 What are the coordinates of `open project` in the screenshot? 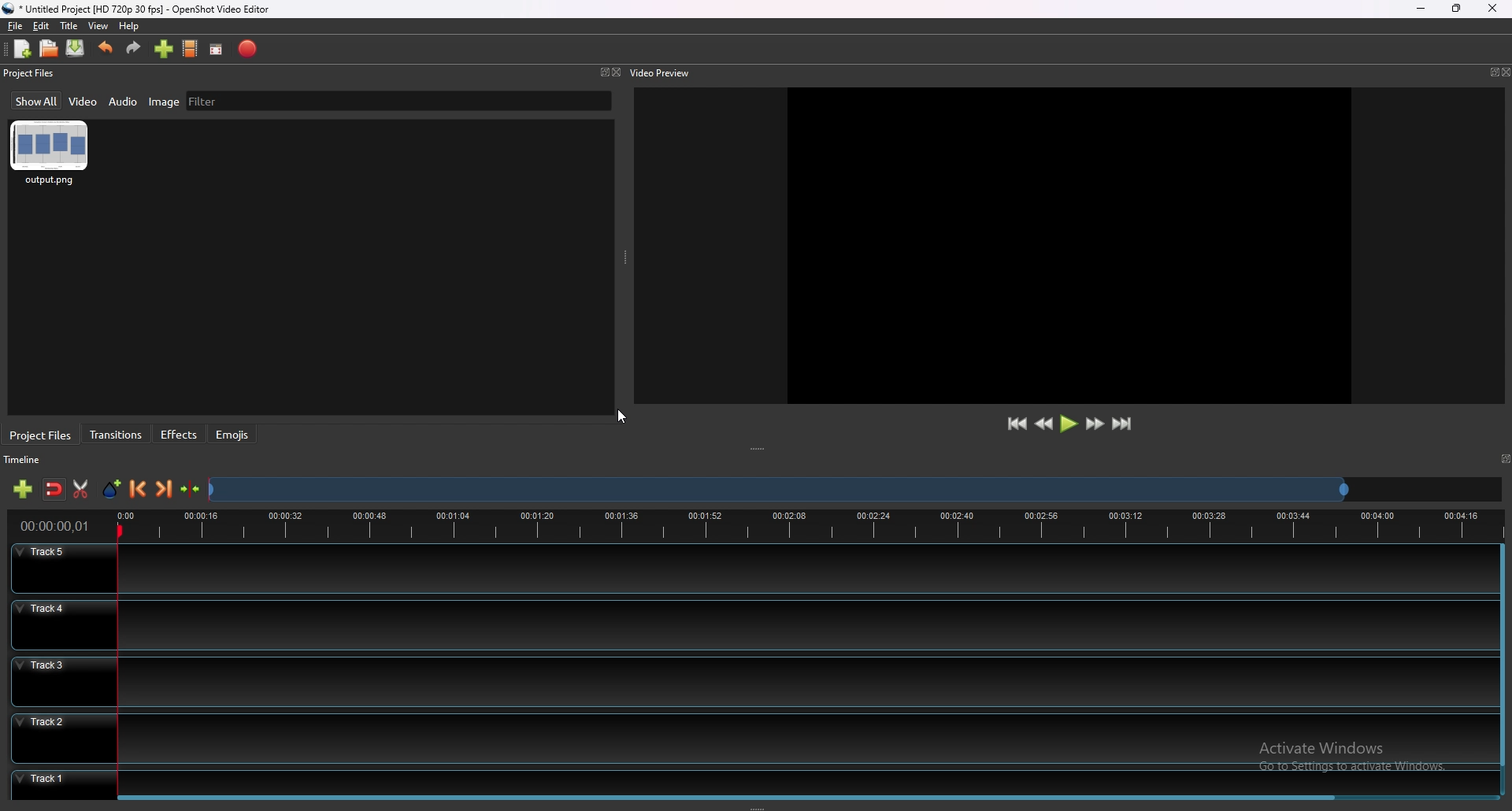 It's located at (49, 47).